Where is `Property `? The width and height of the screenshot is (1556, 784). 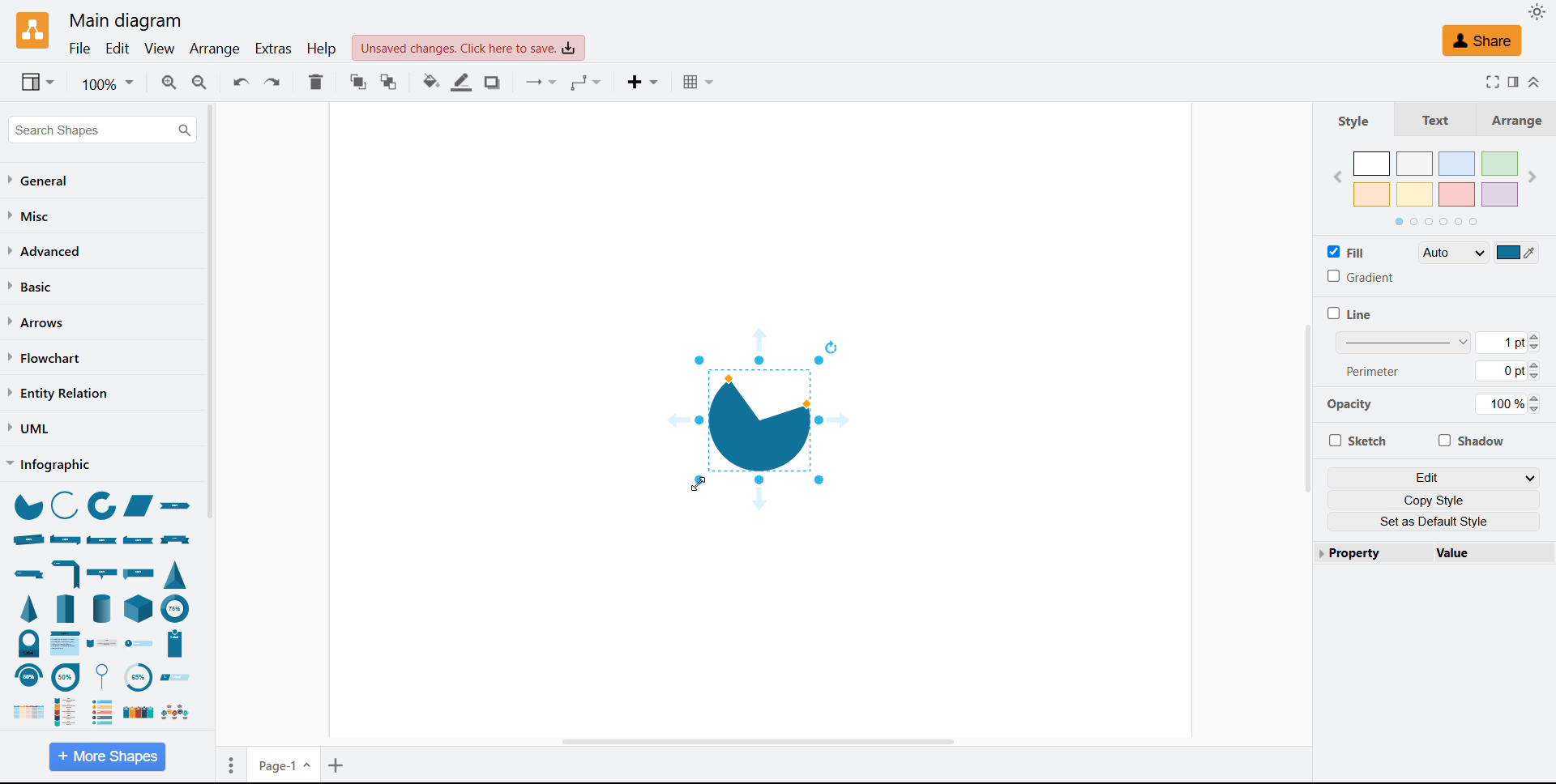
Property  is located at coordinates (1368, 552).